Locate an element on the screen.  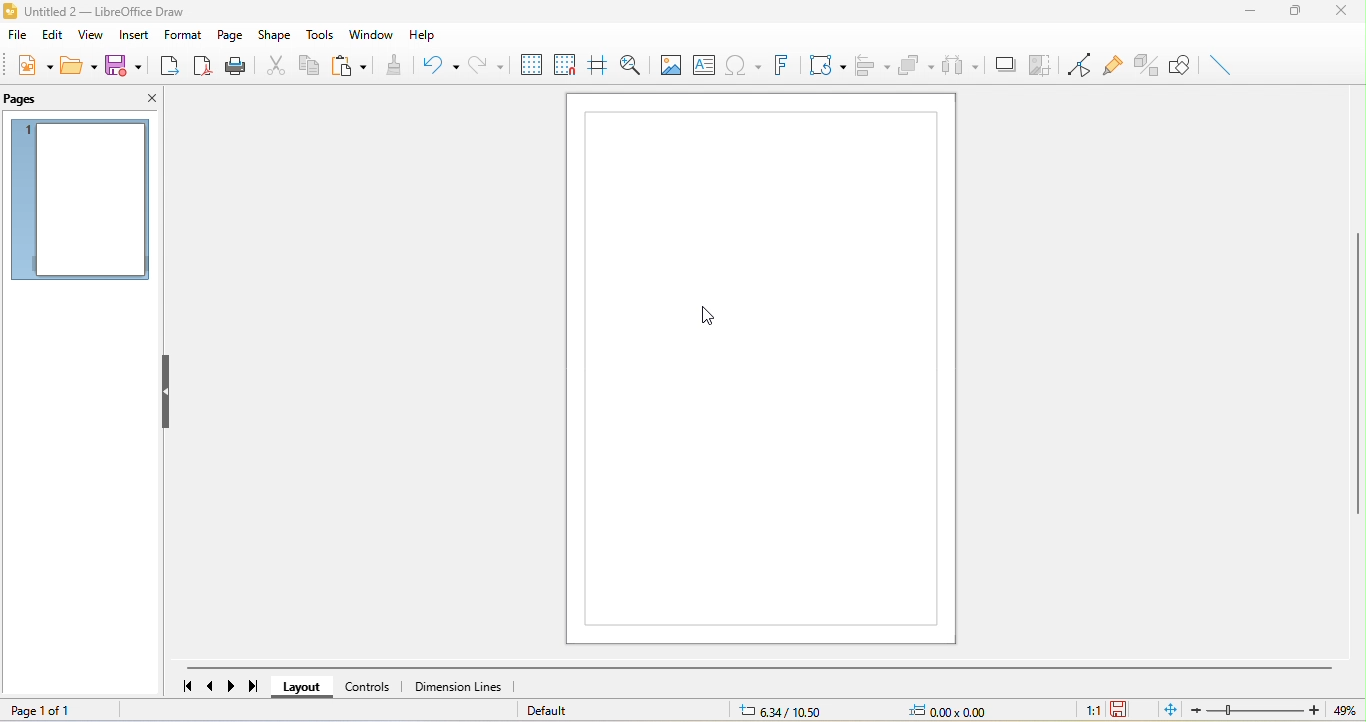
clone formatting is located at coordinates (398, 64).